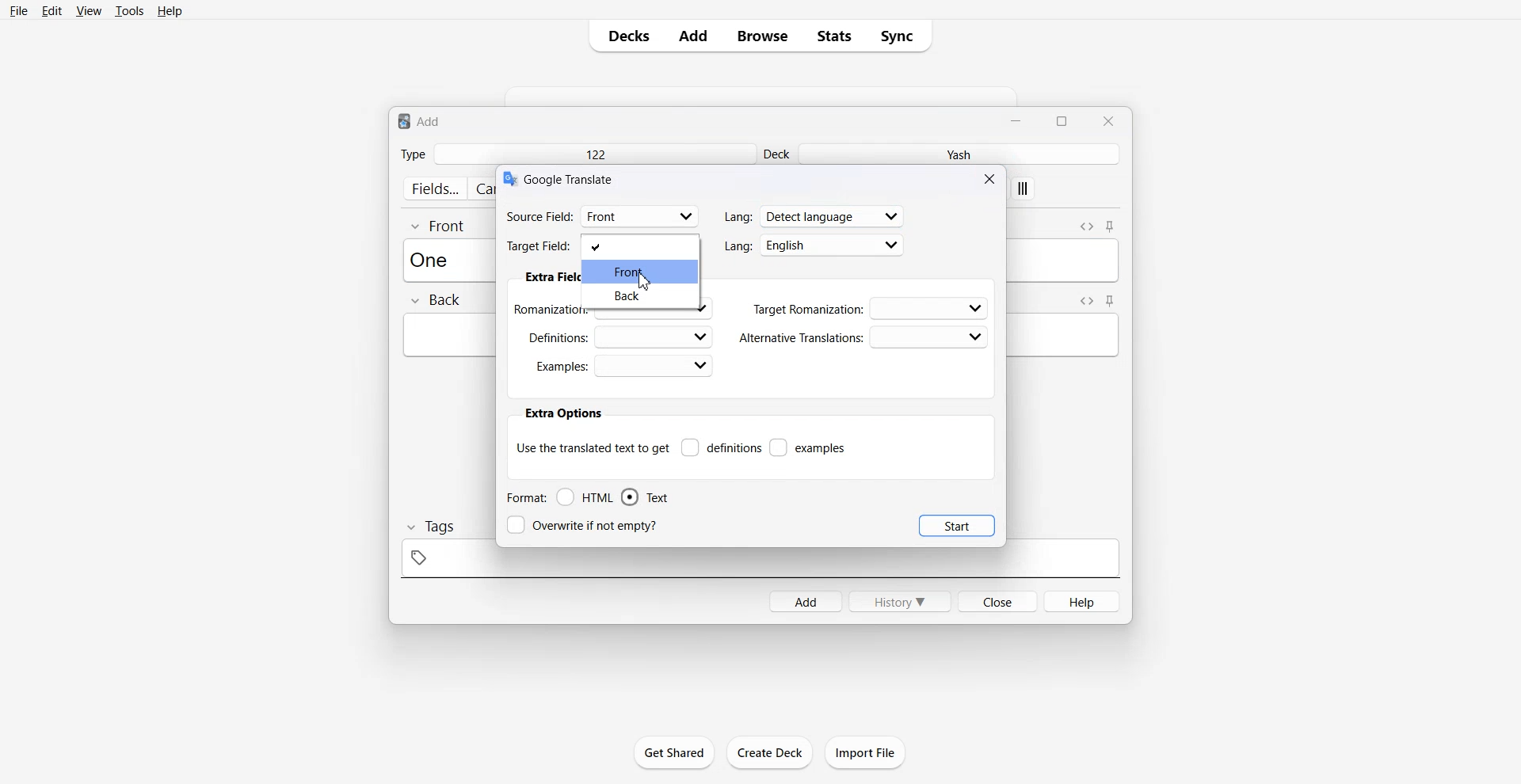 This screenshot has width=1521, height=784. What do you see at coordinates (551, 278) in the screenshot?
I see `Extra fields` at bounding box center [551, 278].